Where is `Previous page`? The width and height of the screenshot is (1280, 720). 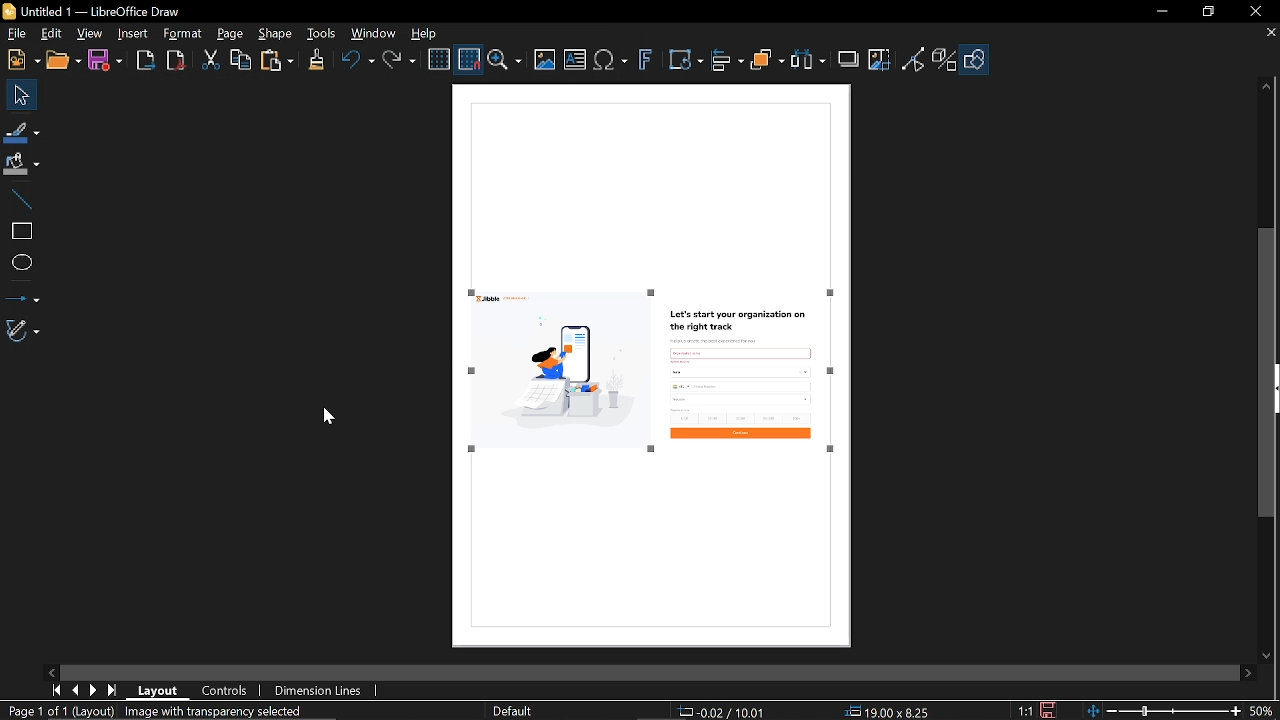
Previous page is located at coordinates (73, 691).